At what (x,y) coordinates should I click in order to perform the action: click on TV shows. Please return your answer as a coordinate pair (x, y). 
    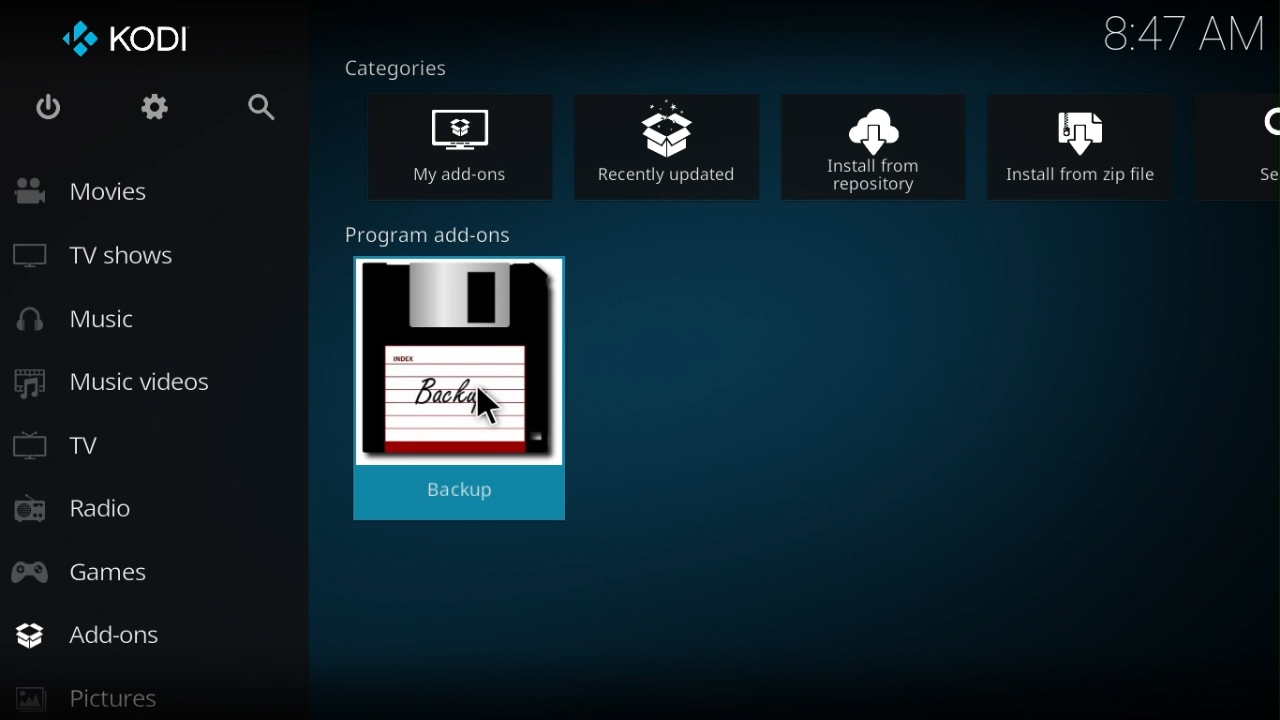
    Looking at the image, I should click on (114, 259).